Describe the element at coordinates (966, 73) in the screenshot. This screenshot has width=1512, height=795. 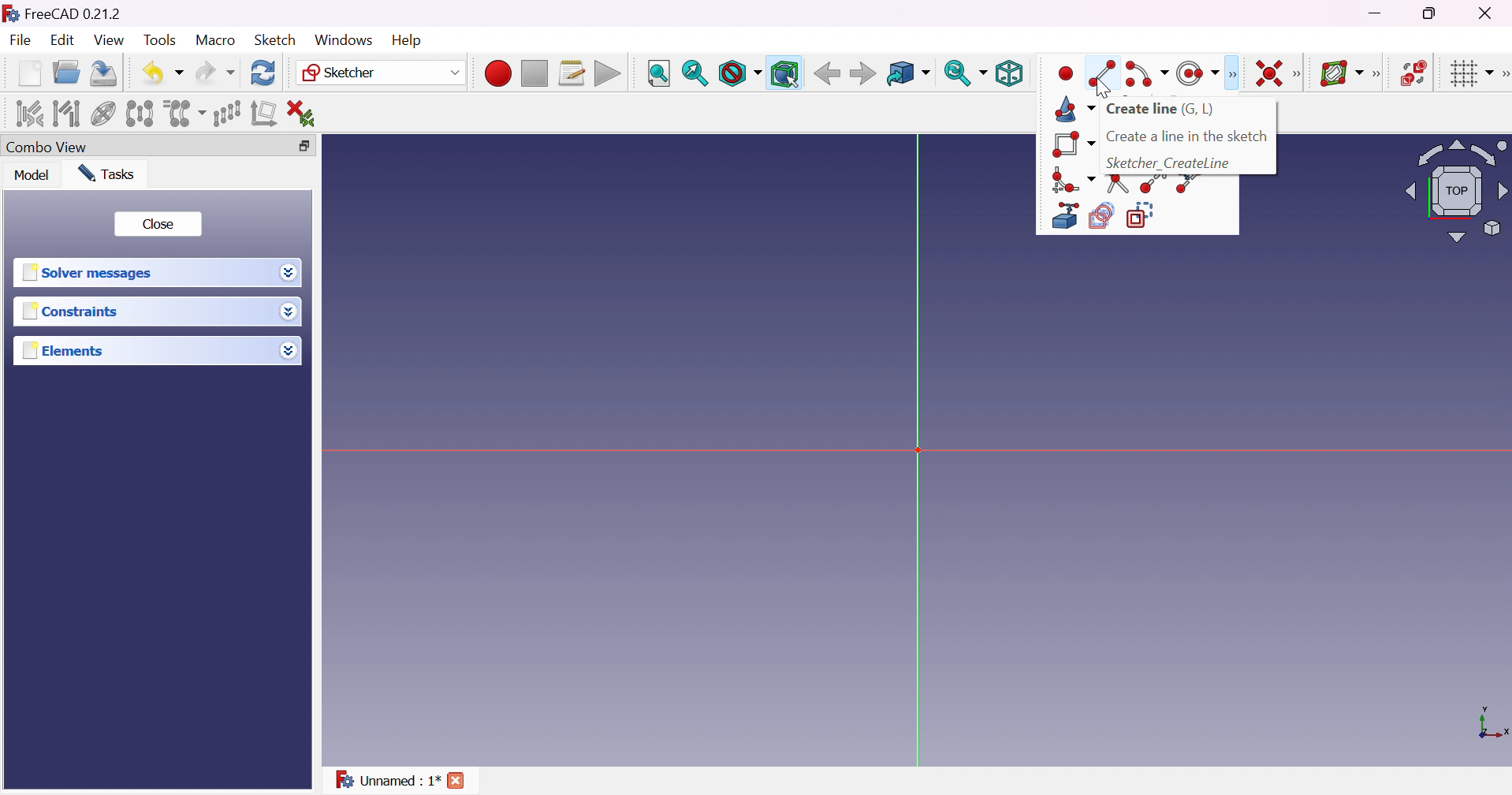
I see `Sync view` at that location.